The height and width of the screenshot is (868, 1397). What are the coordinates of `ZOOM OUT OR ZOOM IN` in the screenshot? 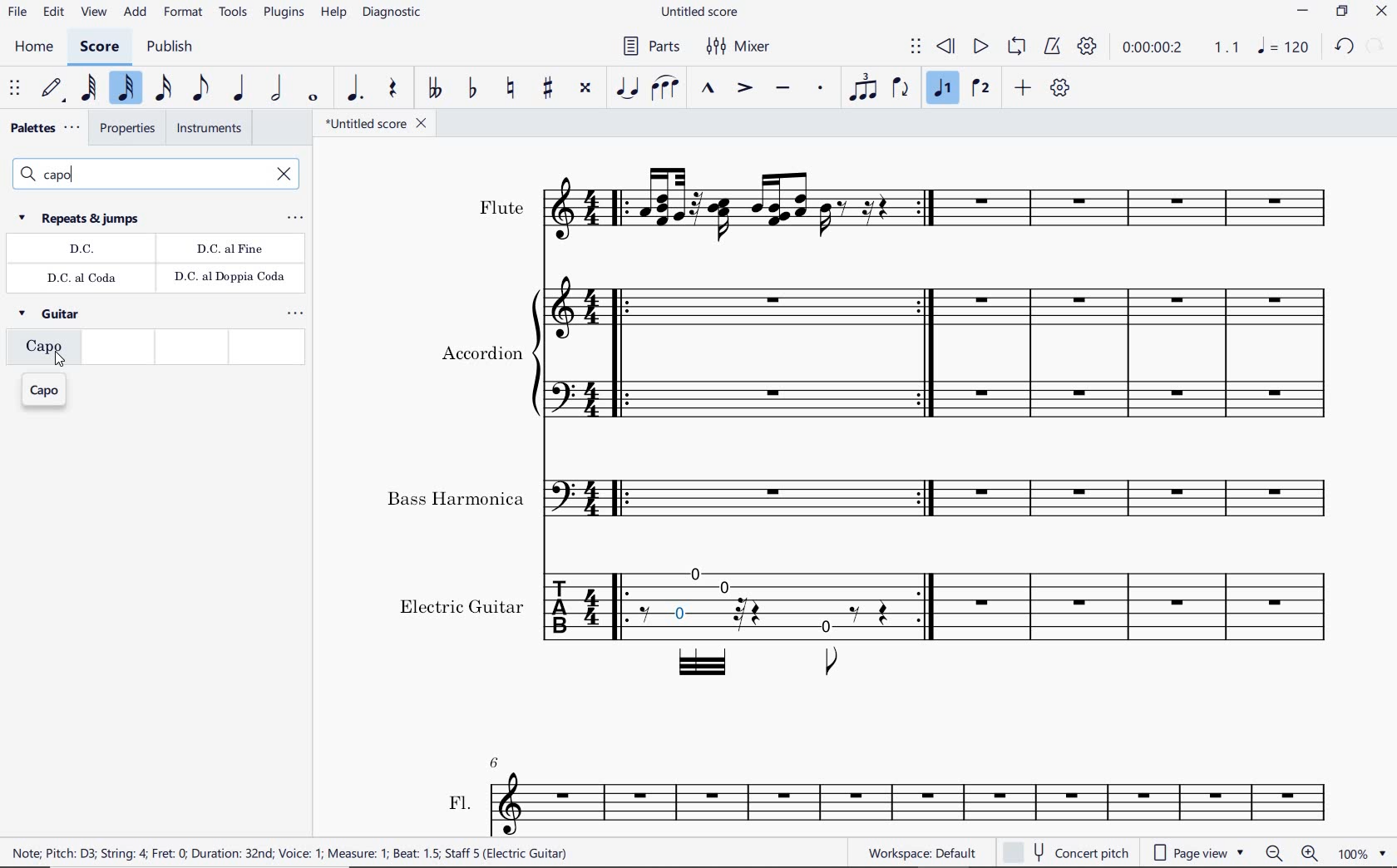 It's located at (1291, 852).